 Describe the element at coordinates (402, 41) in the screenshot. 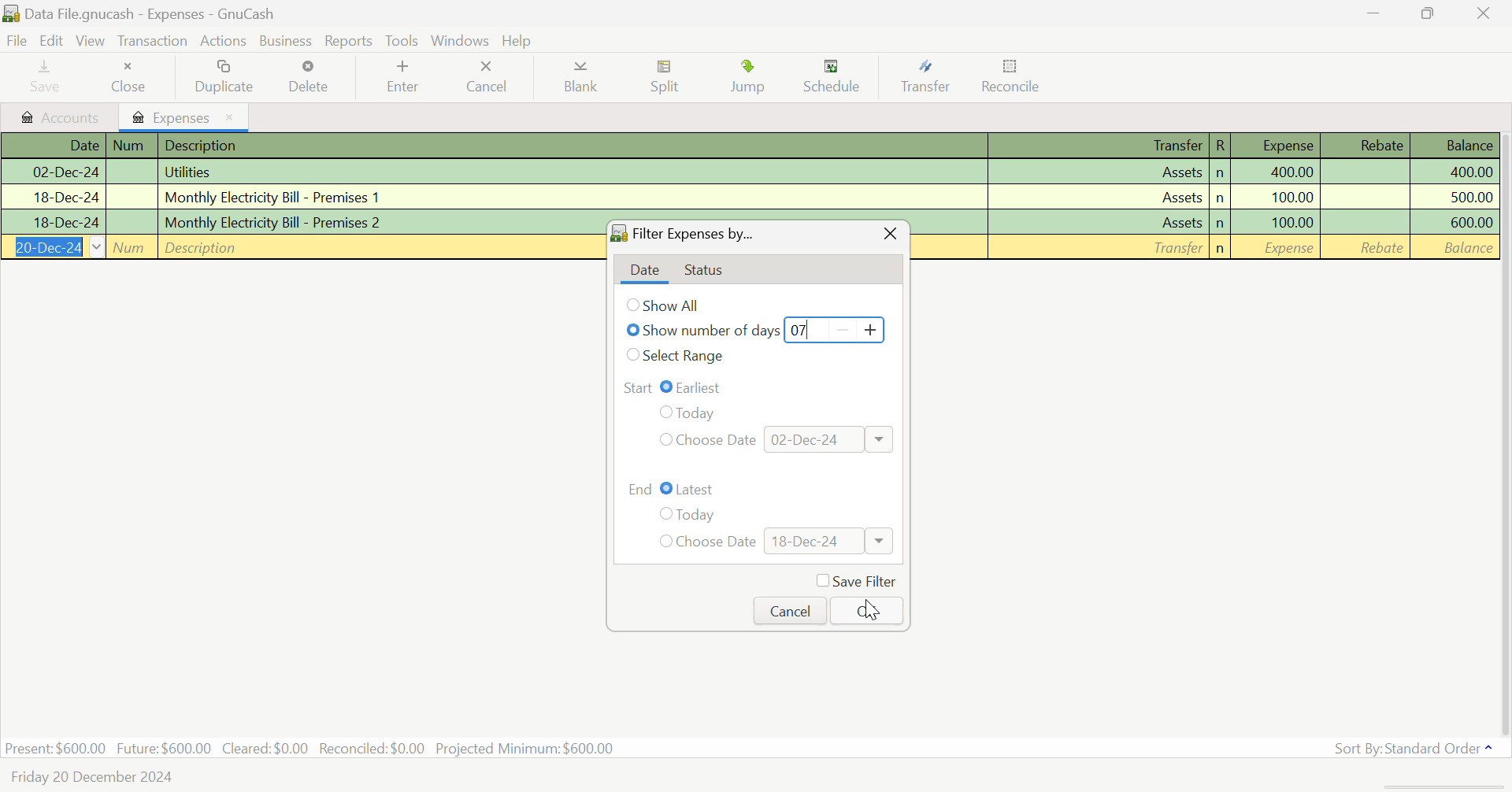

I see `tools` at that location.